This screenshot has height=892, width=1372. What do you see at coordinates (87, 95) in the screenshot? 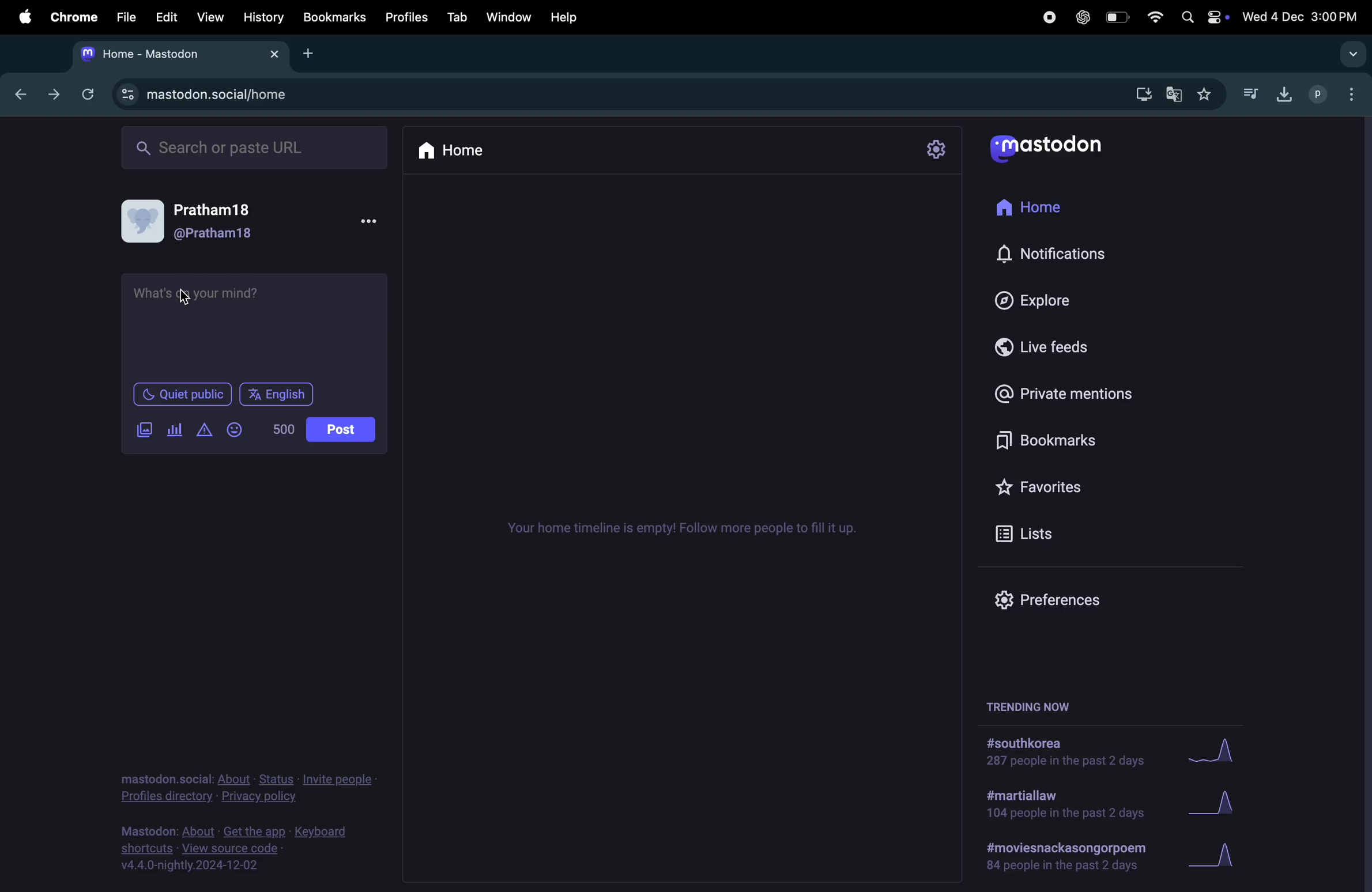
I see `refresh` at bounding box center [87, 95].